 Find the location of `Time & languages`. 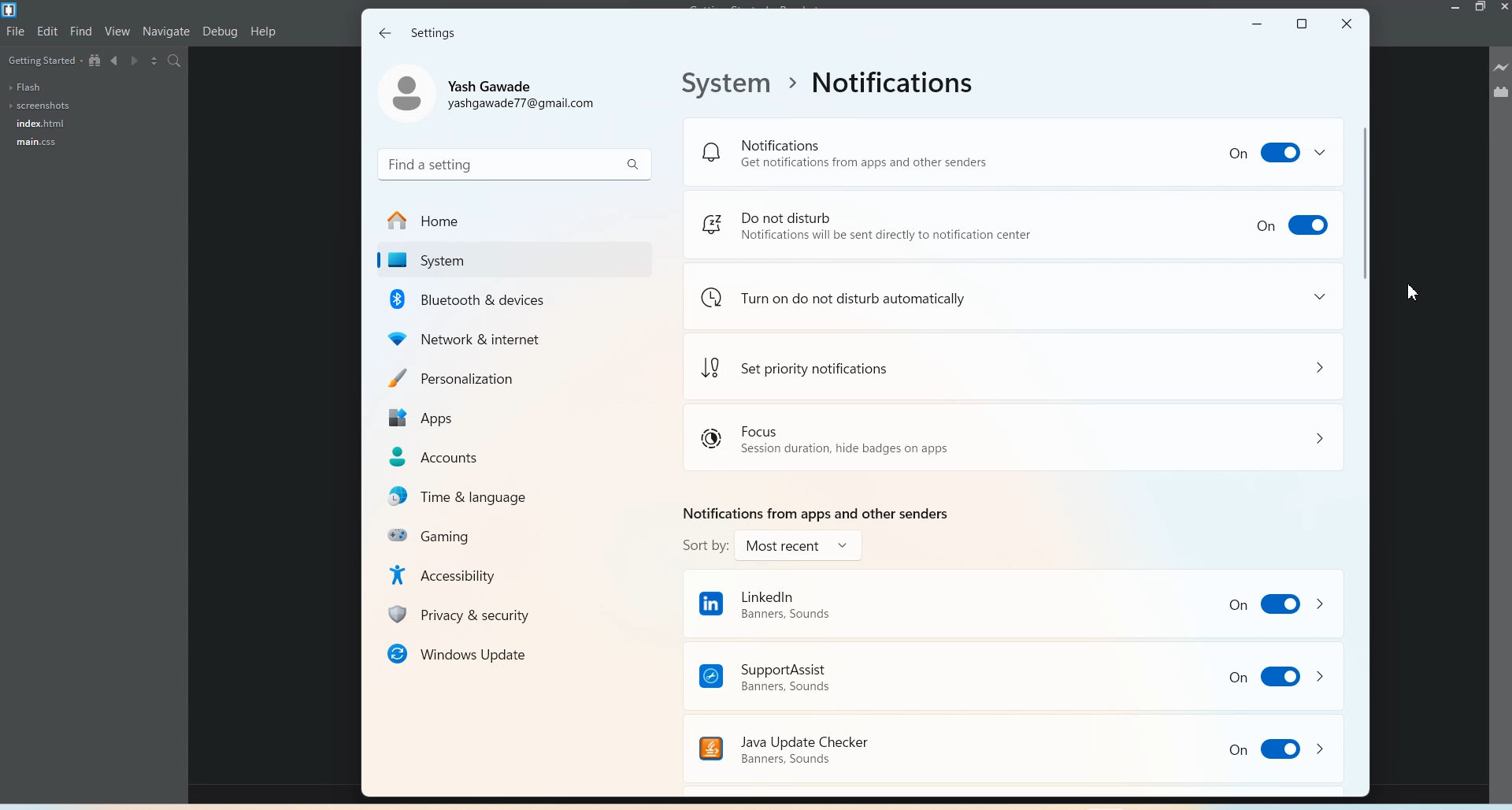

Time & languages is located at coordinates (509, 496).